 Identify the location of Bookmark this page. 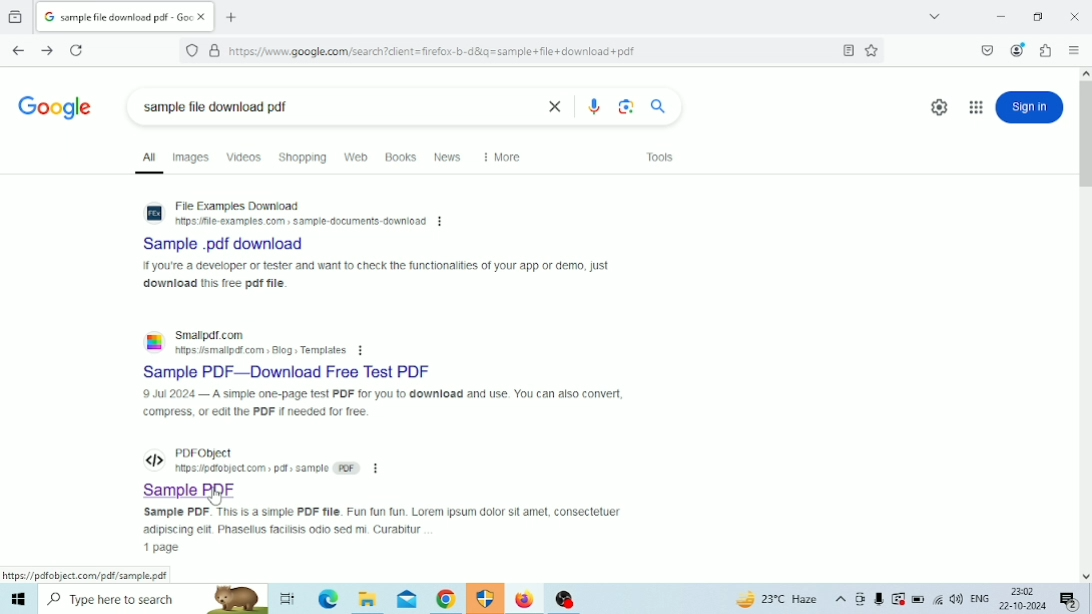
(848, 51).